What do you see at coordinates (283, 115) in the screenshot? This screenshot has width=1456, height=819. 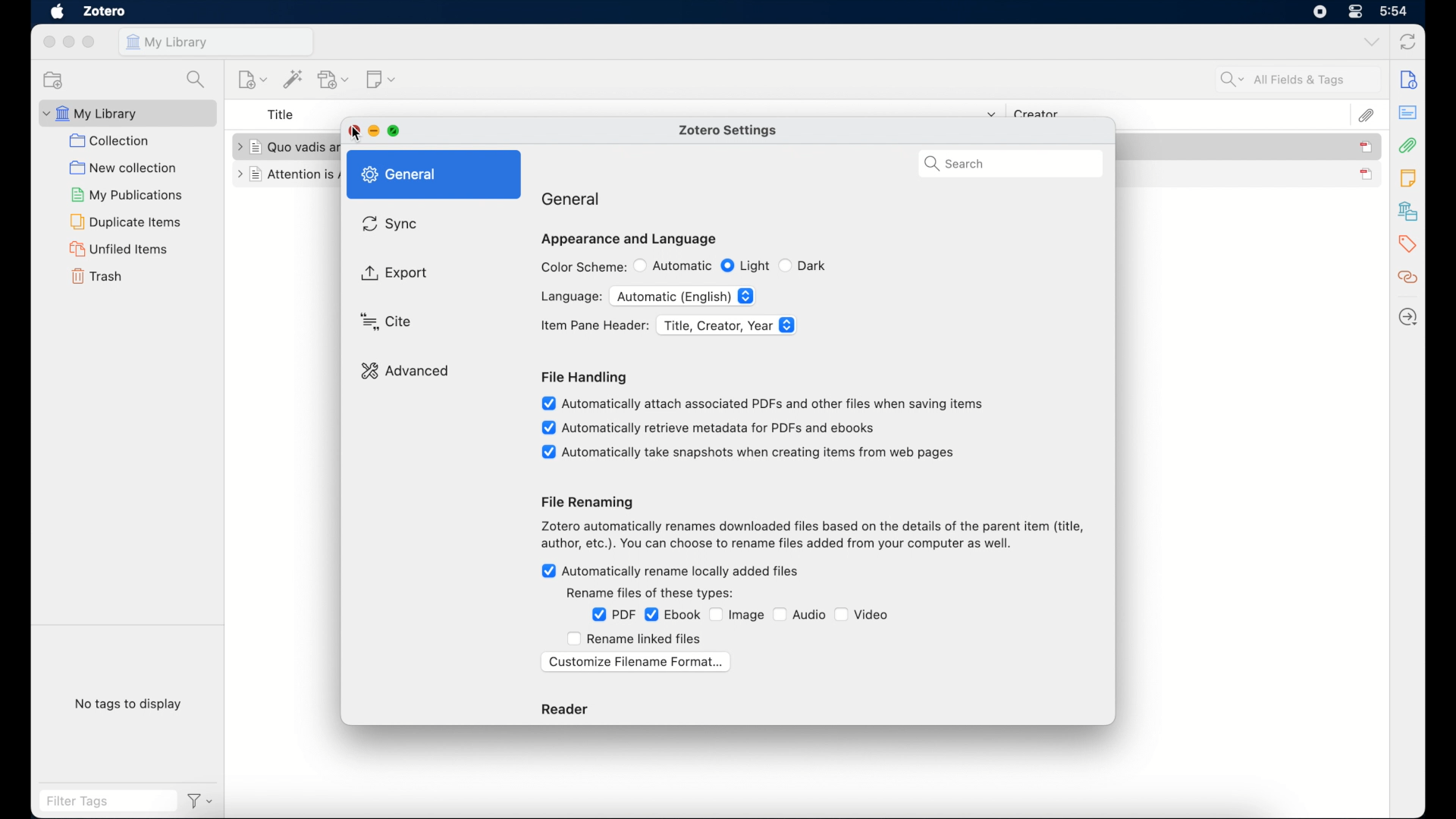 I see `title` at bounding box center [283, 115].